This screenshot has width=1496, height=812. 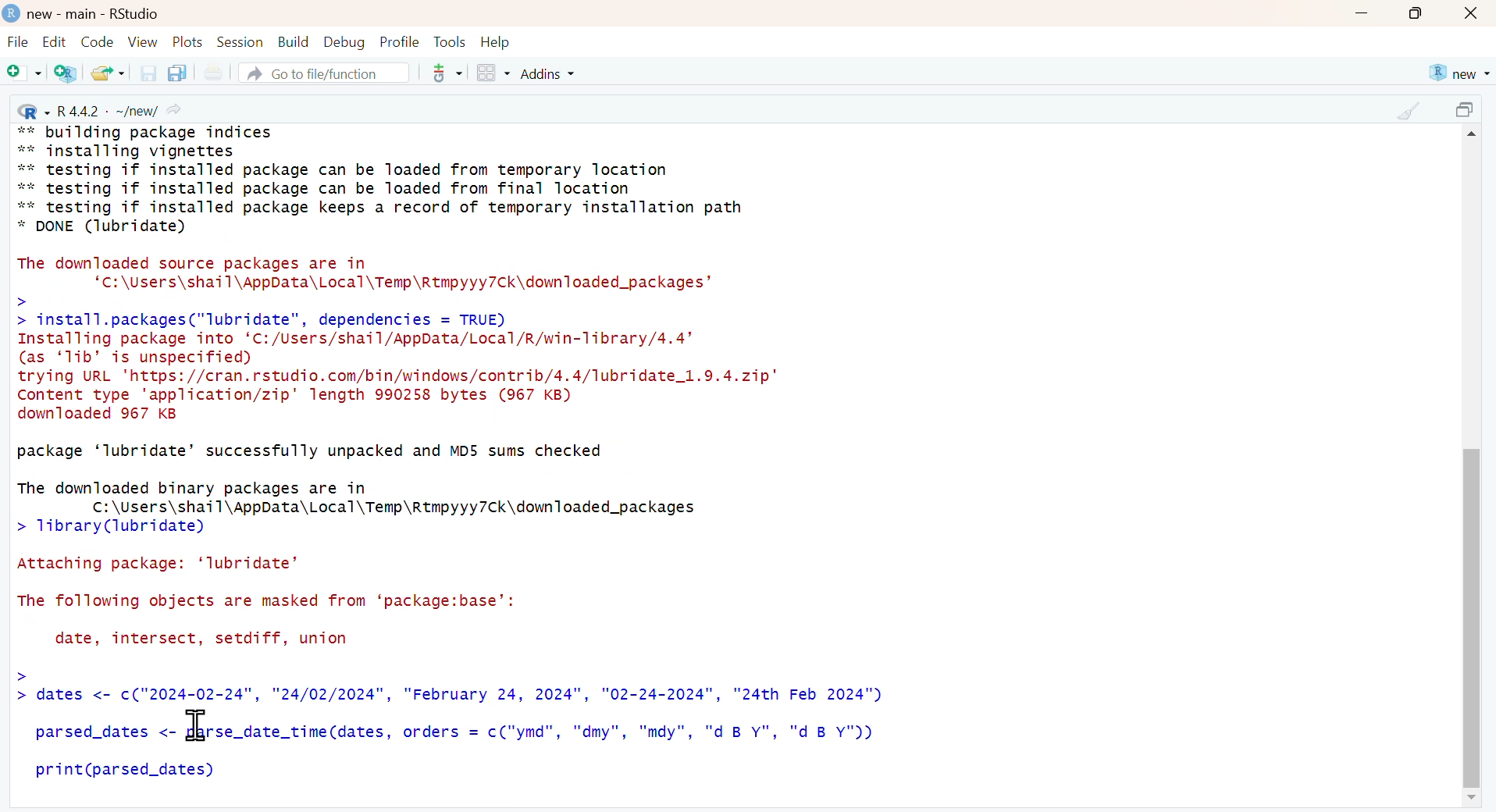 I want to click on The downloaded source packages are in
‘C:\Users\shail\AppData\Local\Temp\Rtmpyyy7Ck\downloaded_packages’
>, so click(x=378, y=280).